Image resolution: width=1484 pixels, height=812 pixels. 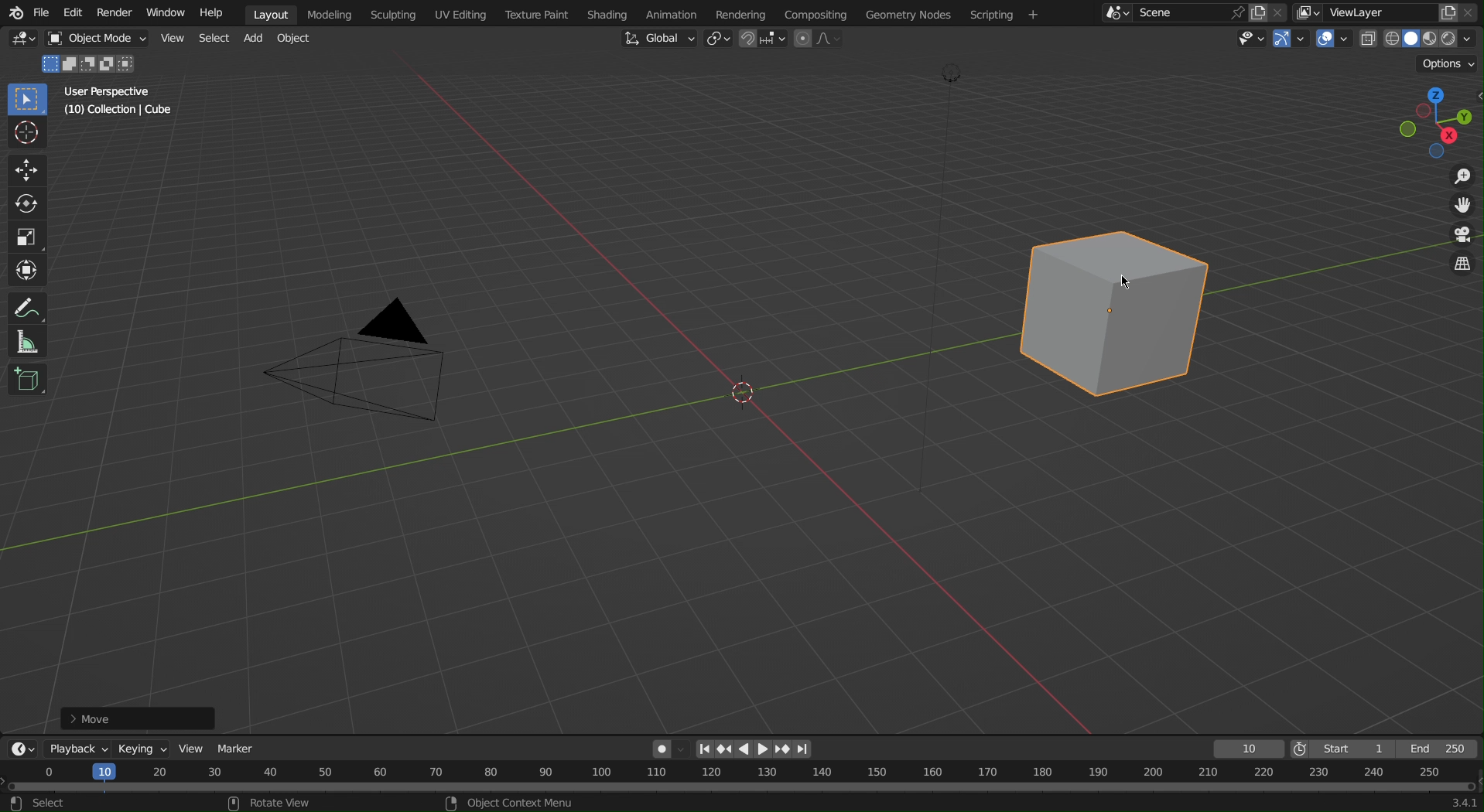 What do you see at coordinates (745, 749) in the screenshot?
I see `left` at bounding box center [745, 749].